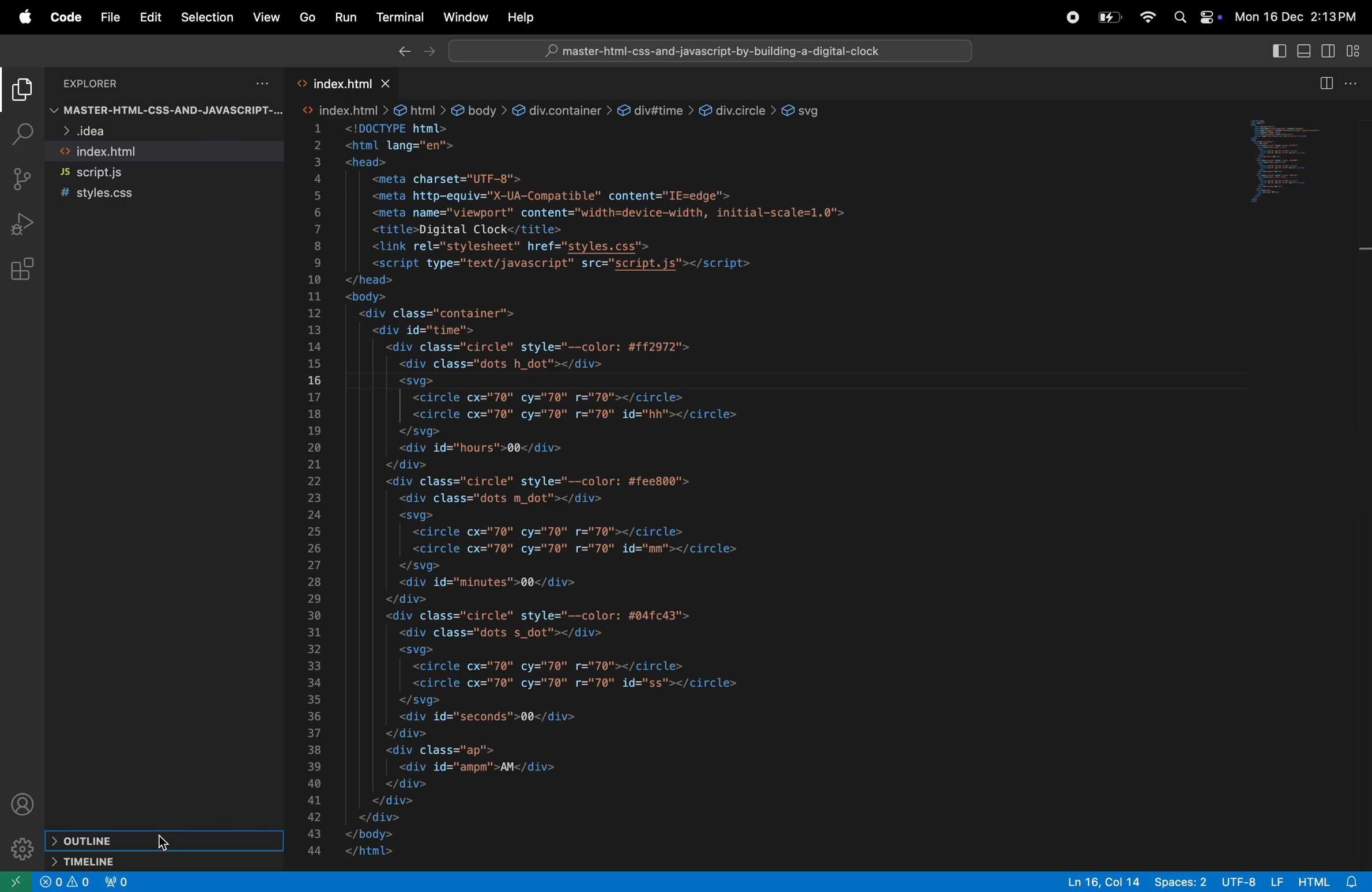 The image size is (1372, 892). What do you see at coordinates (21, 91) in the screenshot?
I see `explorer` at bounding box center [21, 91].